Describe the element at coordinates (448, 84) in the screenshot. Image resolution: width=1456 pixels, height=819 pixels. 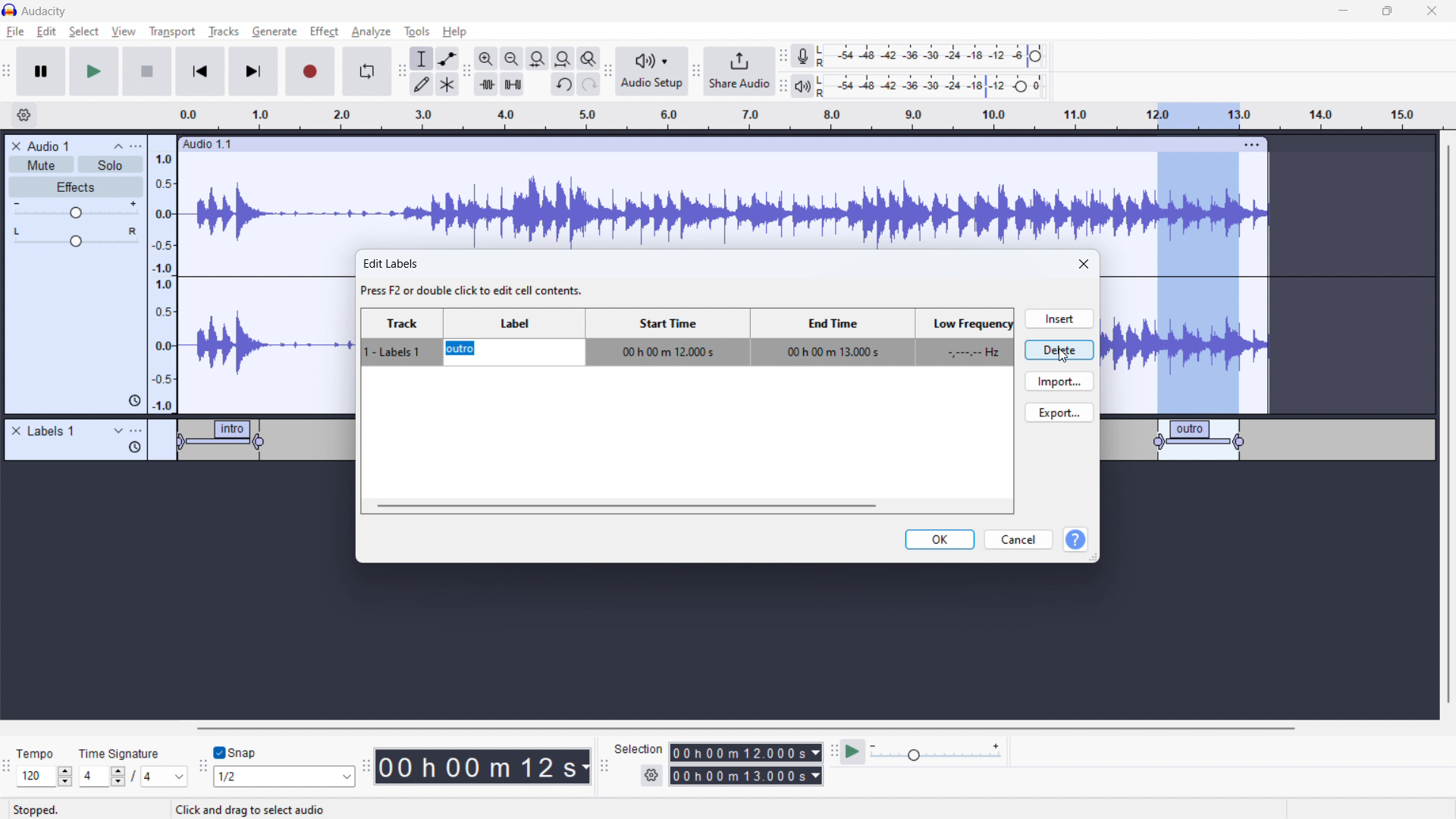
I see `multi tool` at that location.